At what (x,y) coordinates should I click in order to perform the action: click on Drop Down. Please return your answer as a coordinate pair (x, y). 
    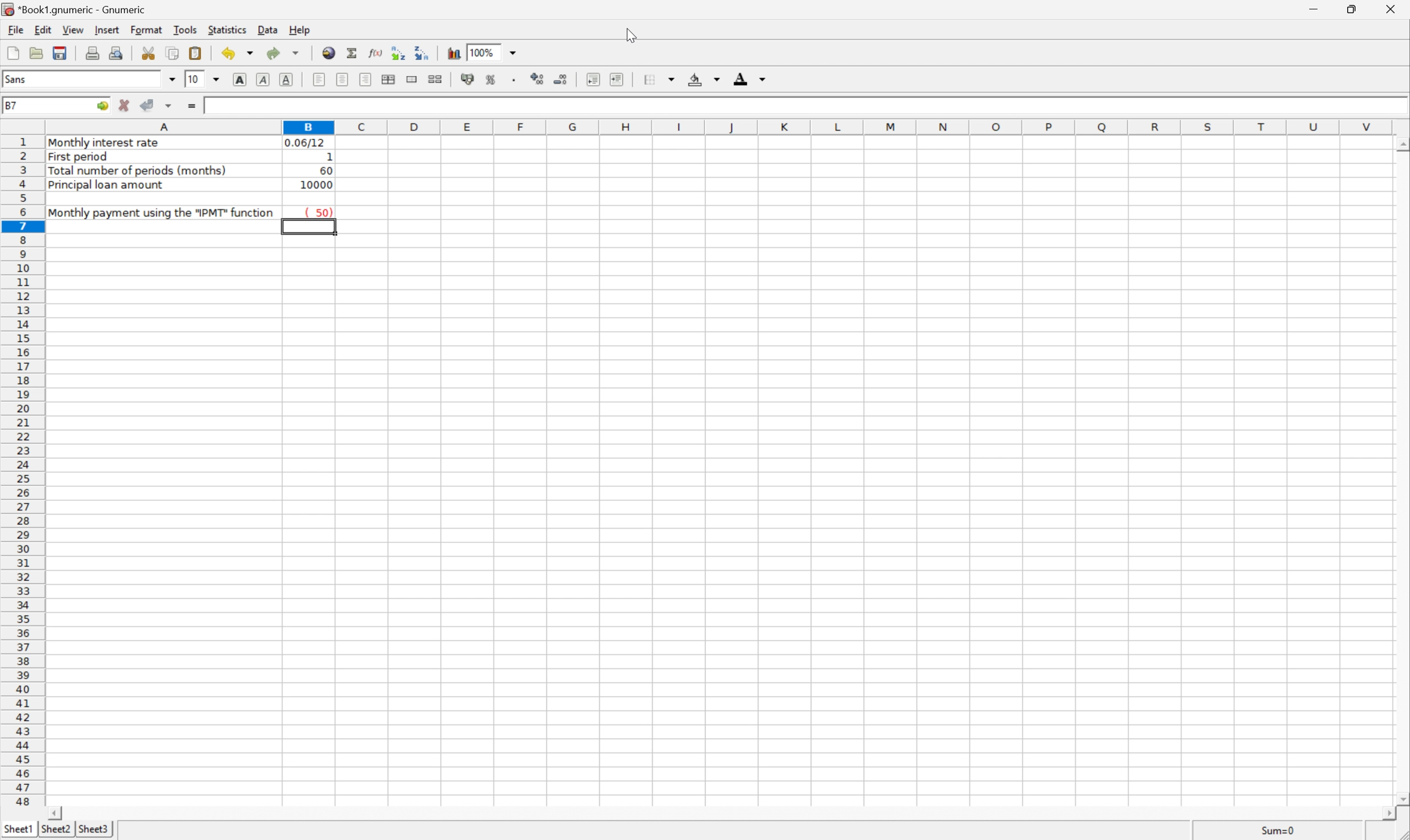
    Looking at the image, I should click on (173, 79).